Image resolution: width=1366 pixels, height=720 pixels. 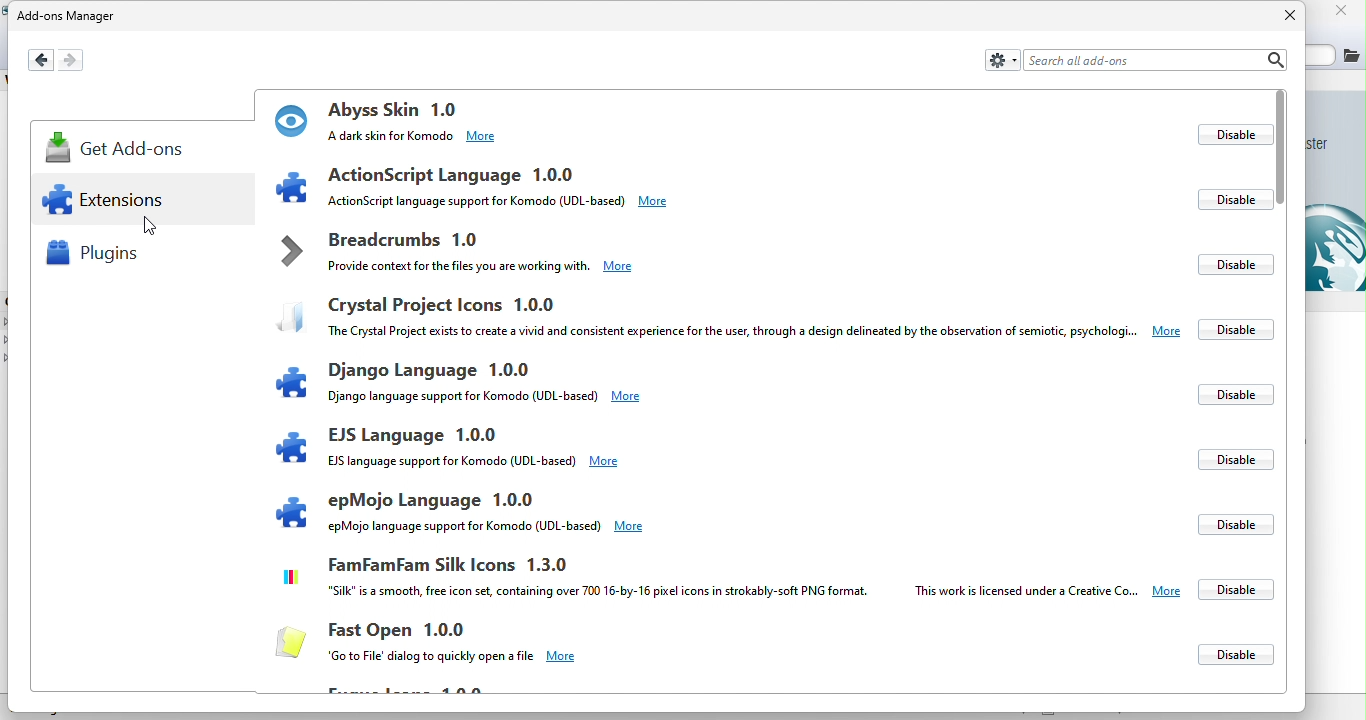 I want to click on fam fam fam silk 1.30, so click(x=726, y=581).